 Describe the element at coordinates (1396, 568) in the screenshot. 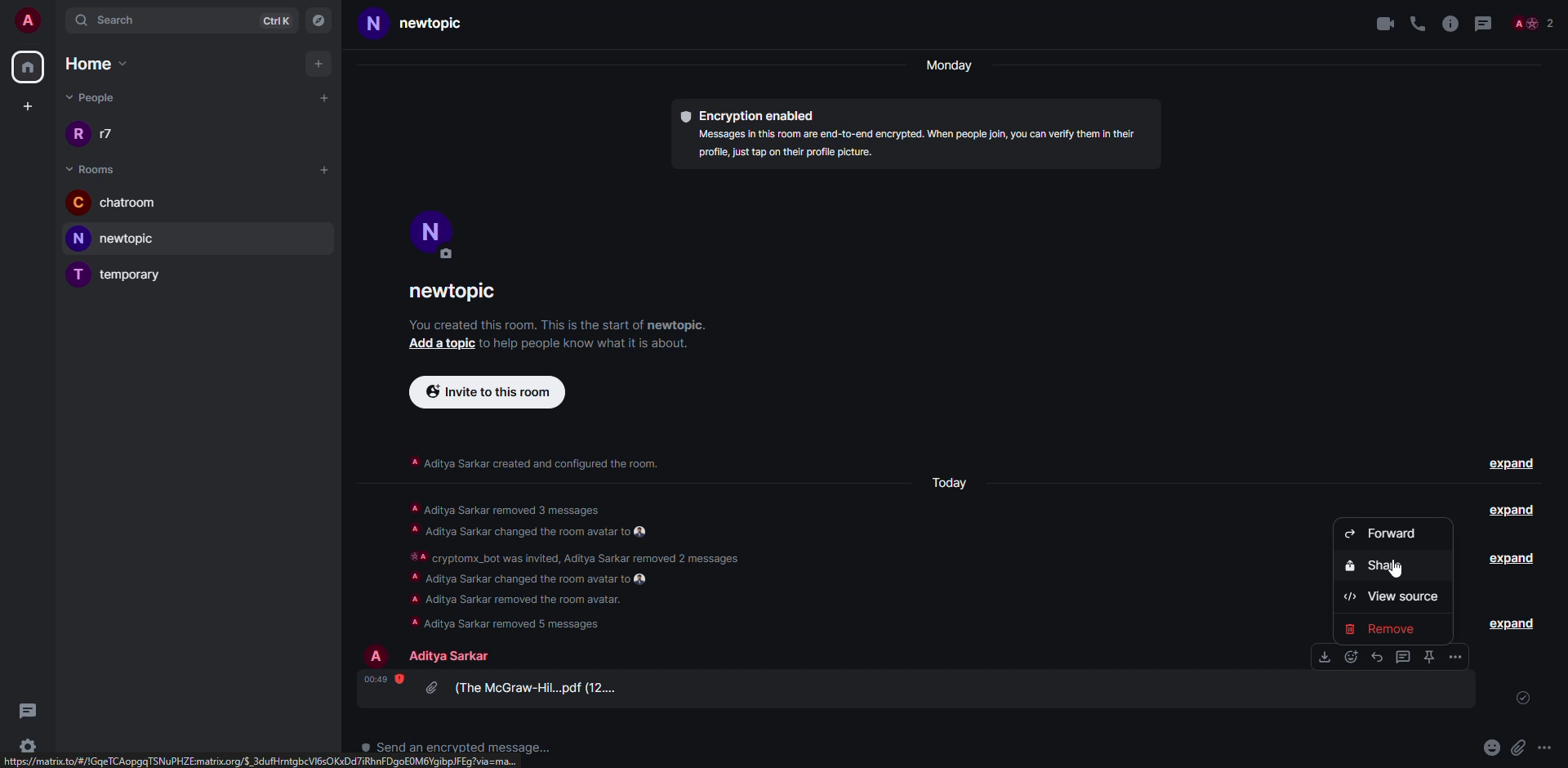

I see `cursor` at that location.